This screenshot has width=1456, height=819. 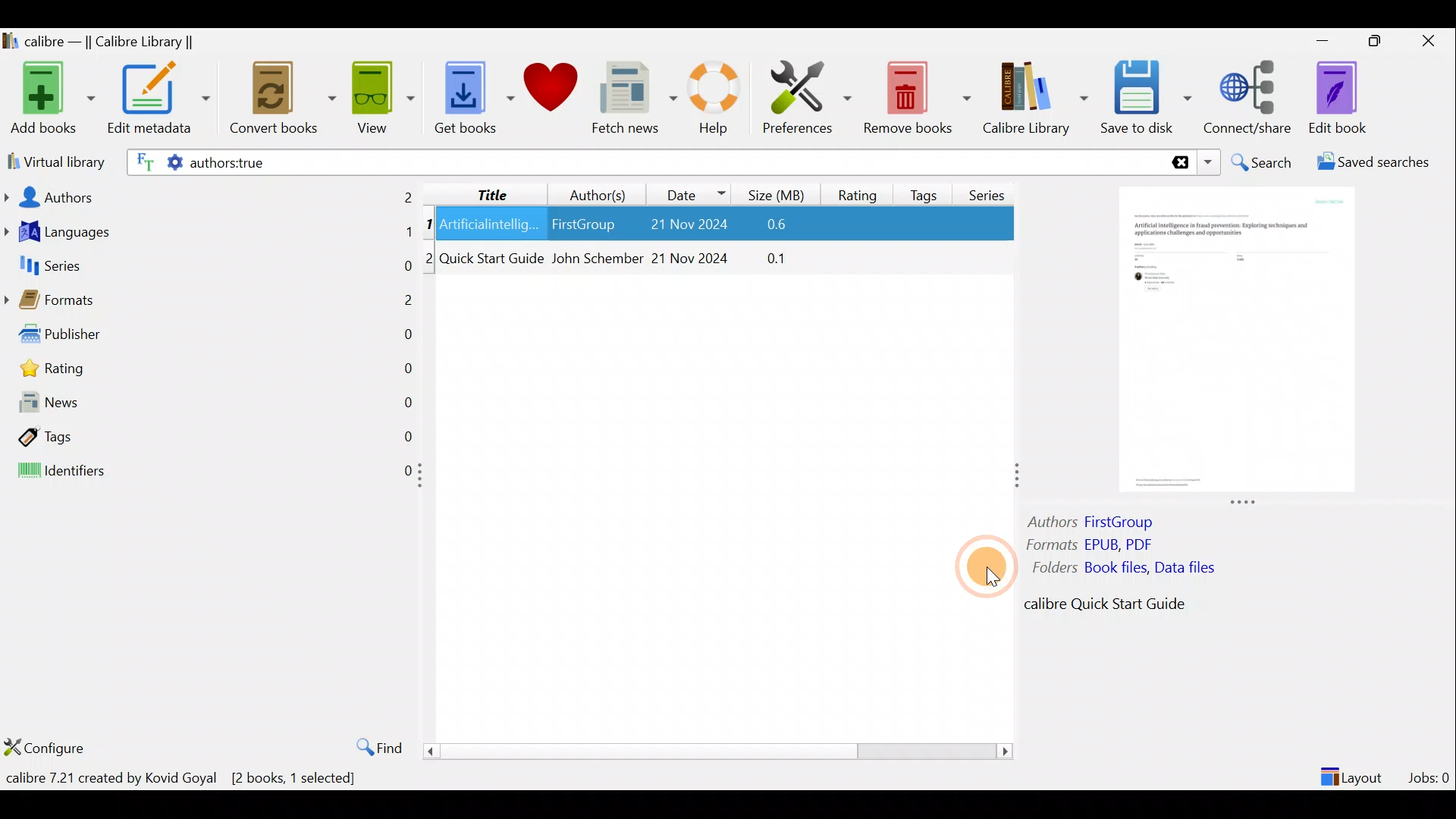 I want to click on Tags, so click(x=927, y=189).